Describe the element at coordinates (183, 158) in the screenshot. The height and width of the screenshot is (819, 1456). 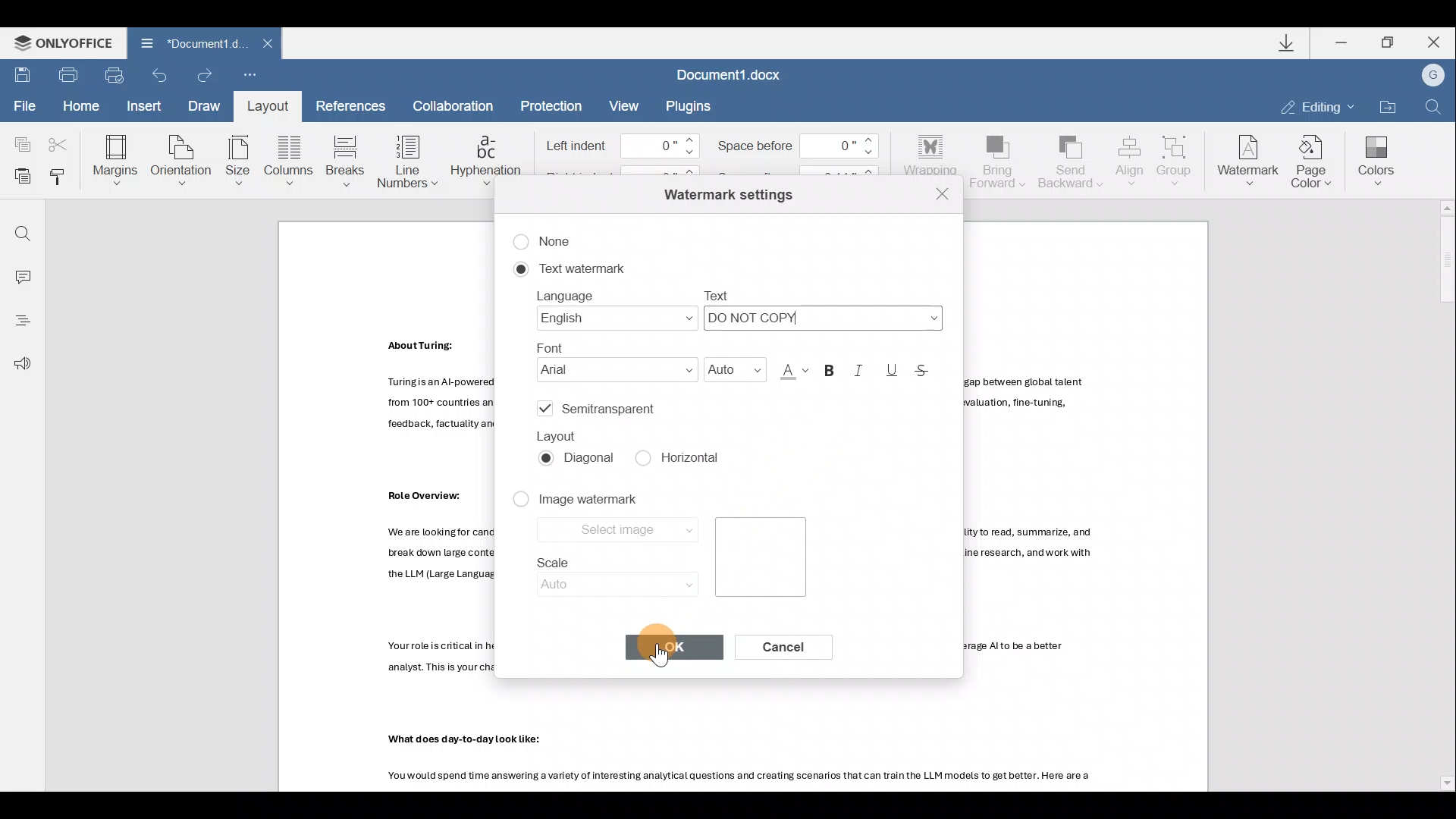
I see `Orientation` at that location.